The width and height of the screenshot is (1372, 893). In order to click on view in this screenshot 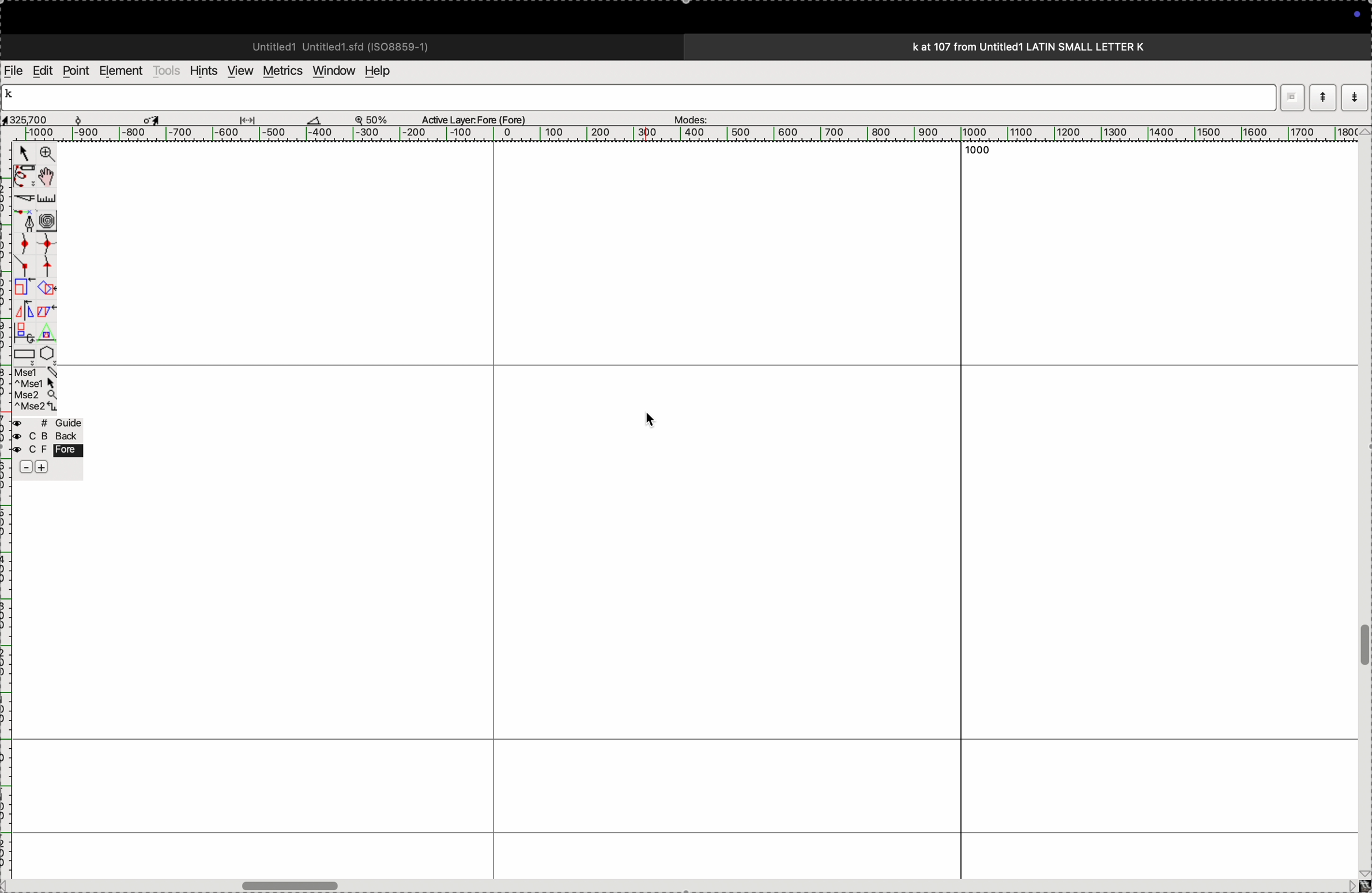, I will do `click(237, 71)`.